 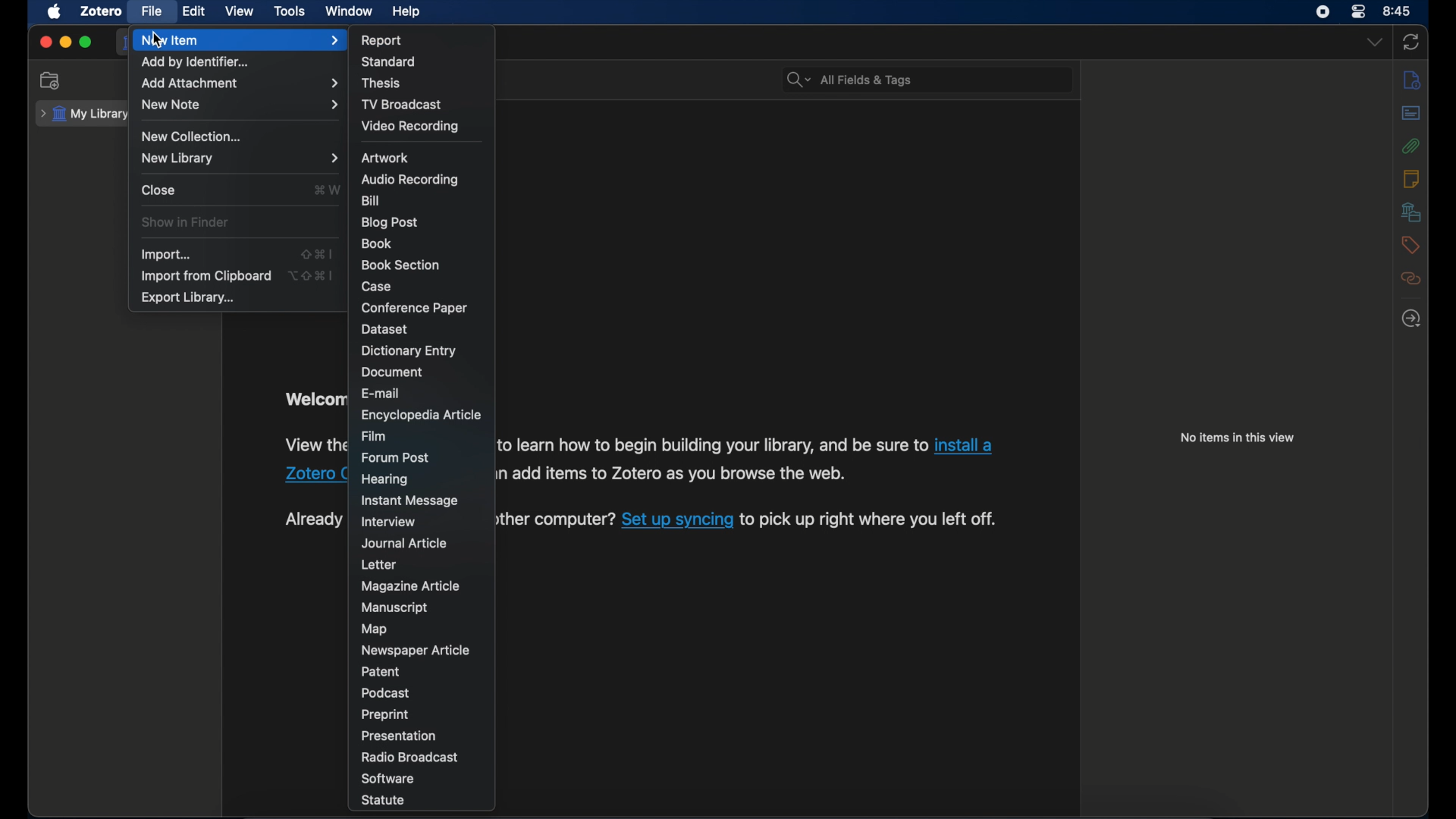 I want to click on shortcut, so click(x=315, y=253).